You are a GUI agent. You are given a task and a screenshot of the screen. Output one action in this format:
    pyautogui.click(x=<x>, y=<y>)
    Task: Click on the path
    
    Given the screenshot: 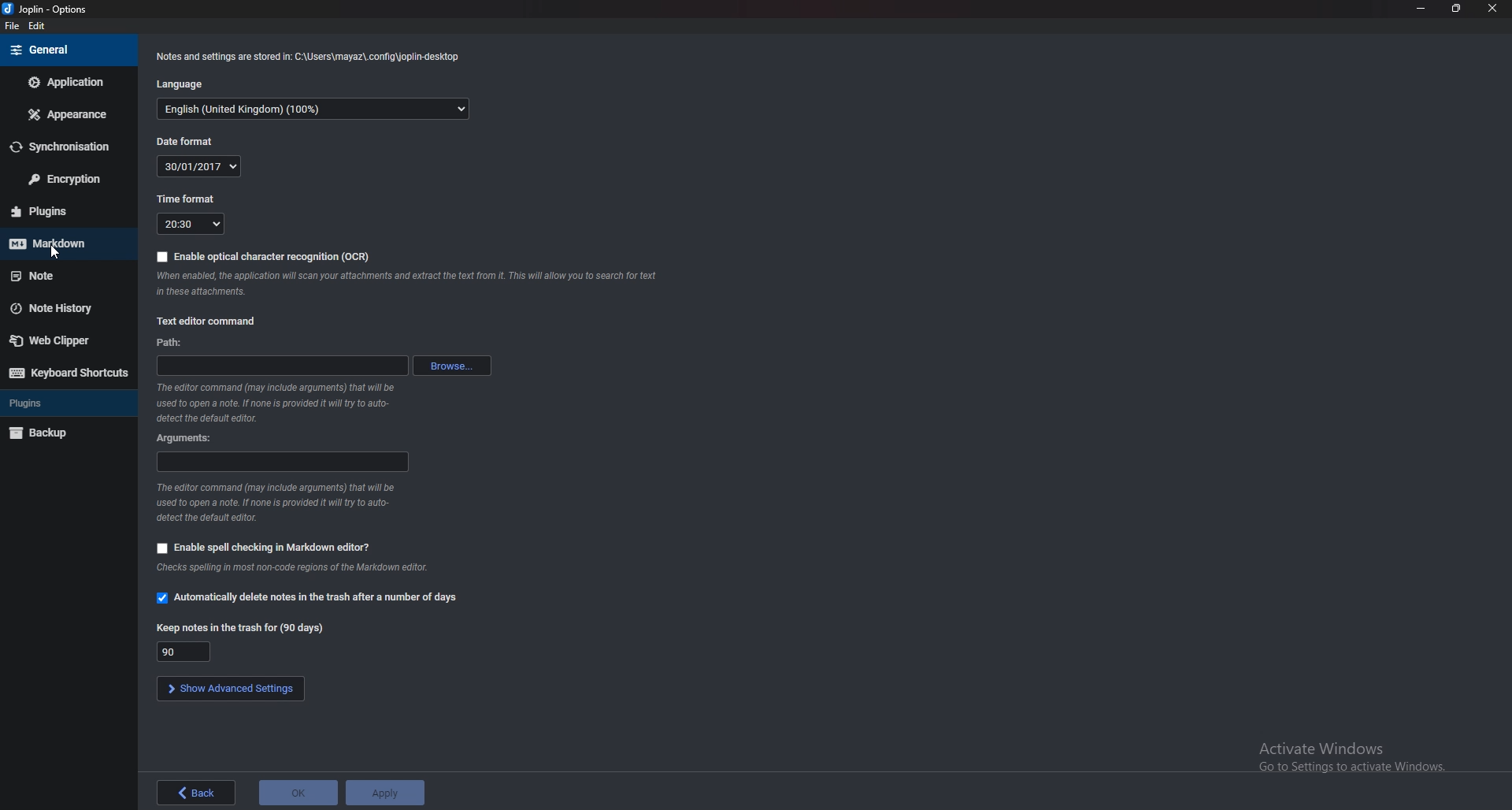 What is the action you would take?
    pyautogui.click(x=283, y=366)
    